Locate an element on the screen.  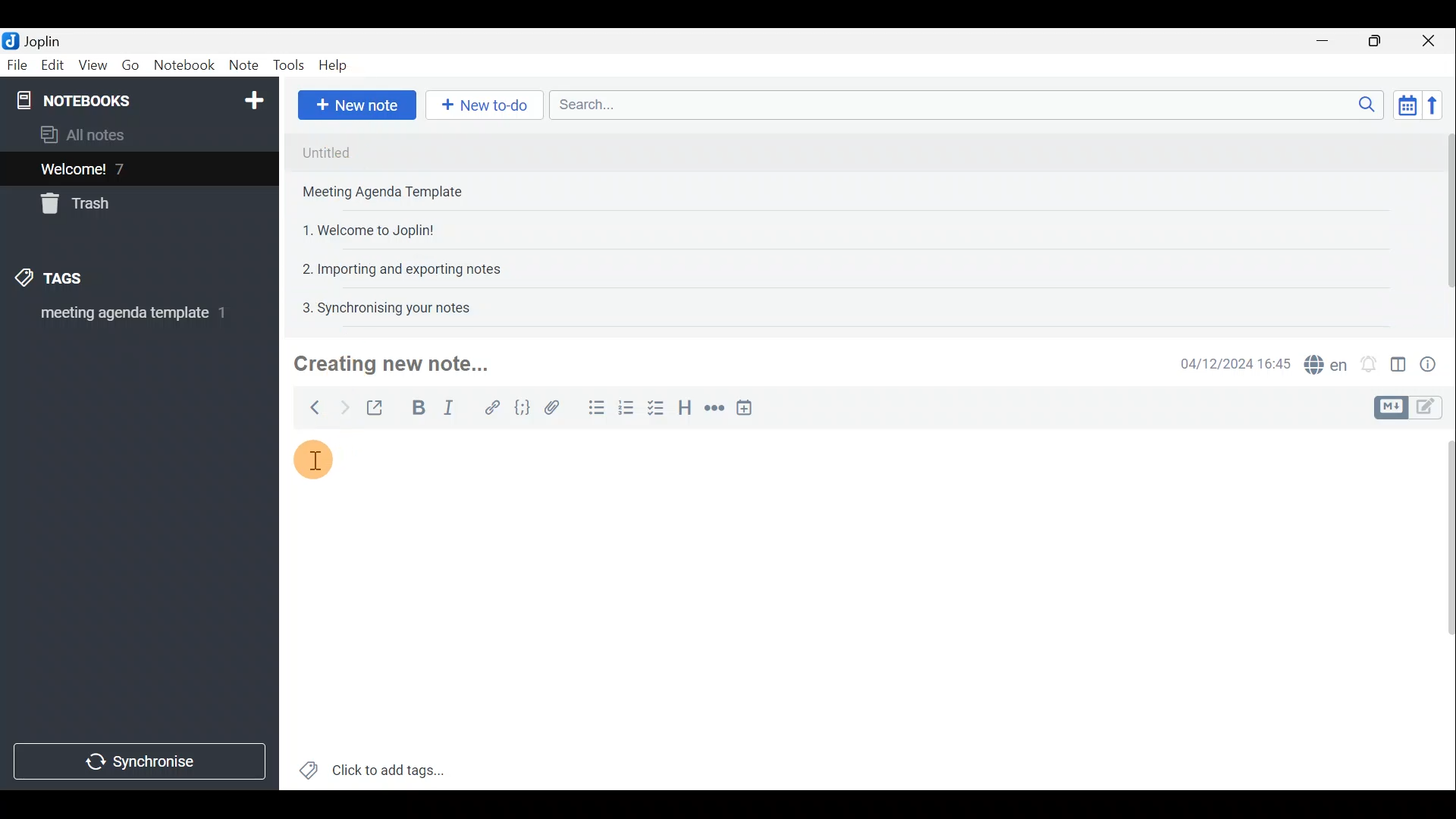
File is located at coordinates (15, 64).